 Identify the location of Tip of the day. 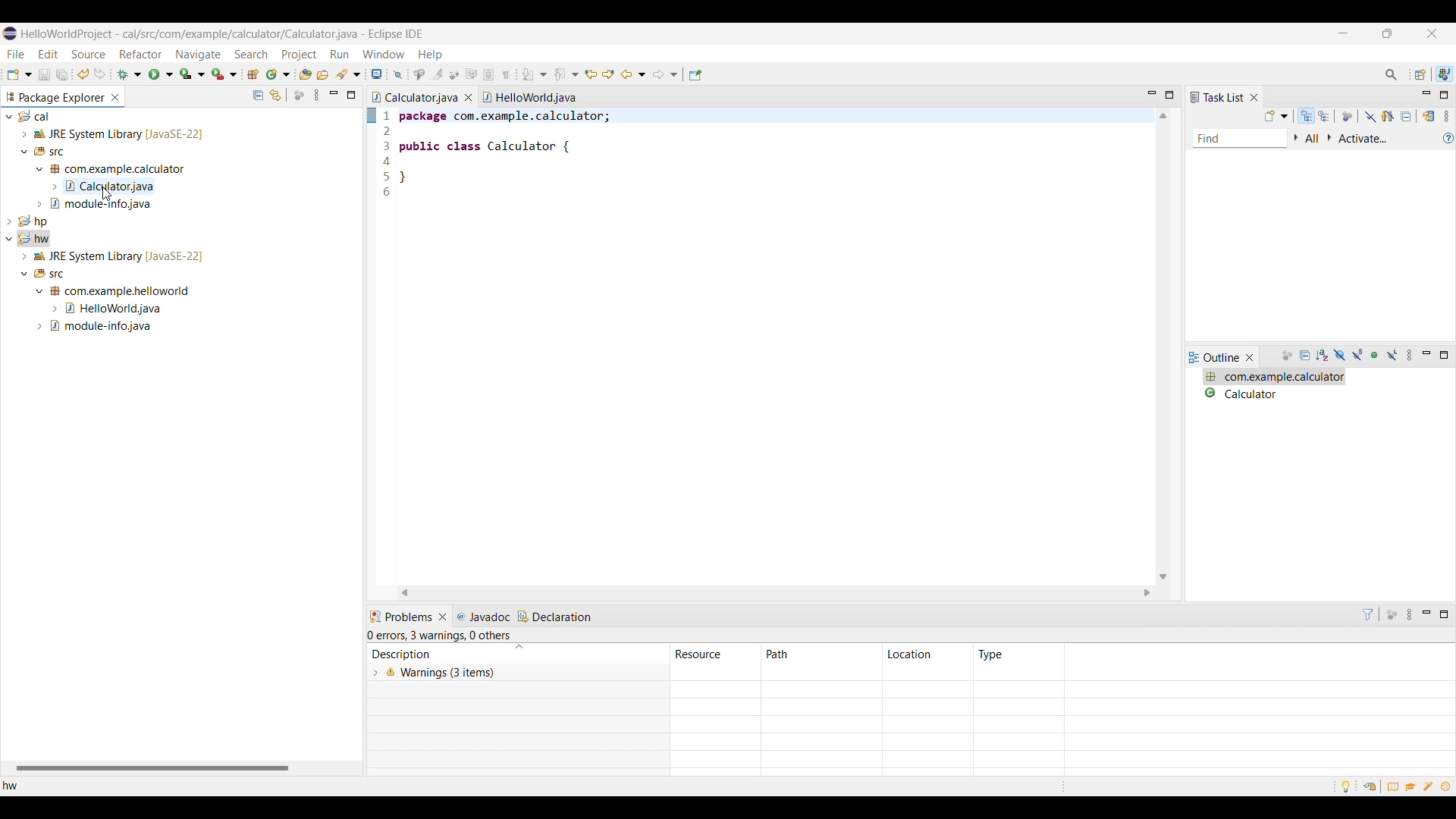
(1346, 787).